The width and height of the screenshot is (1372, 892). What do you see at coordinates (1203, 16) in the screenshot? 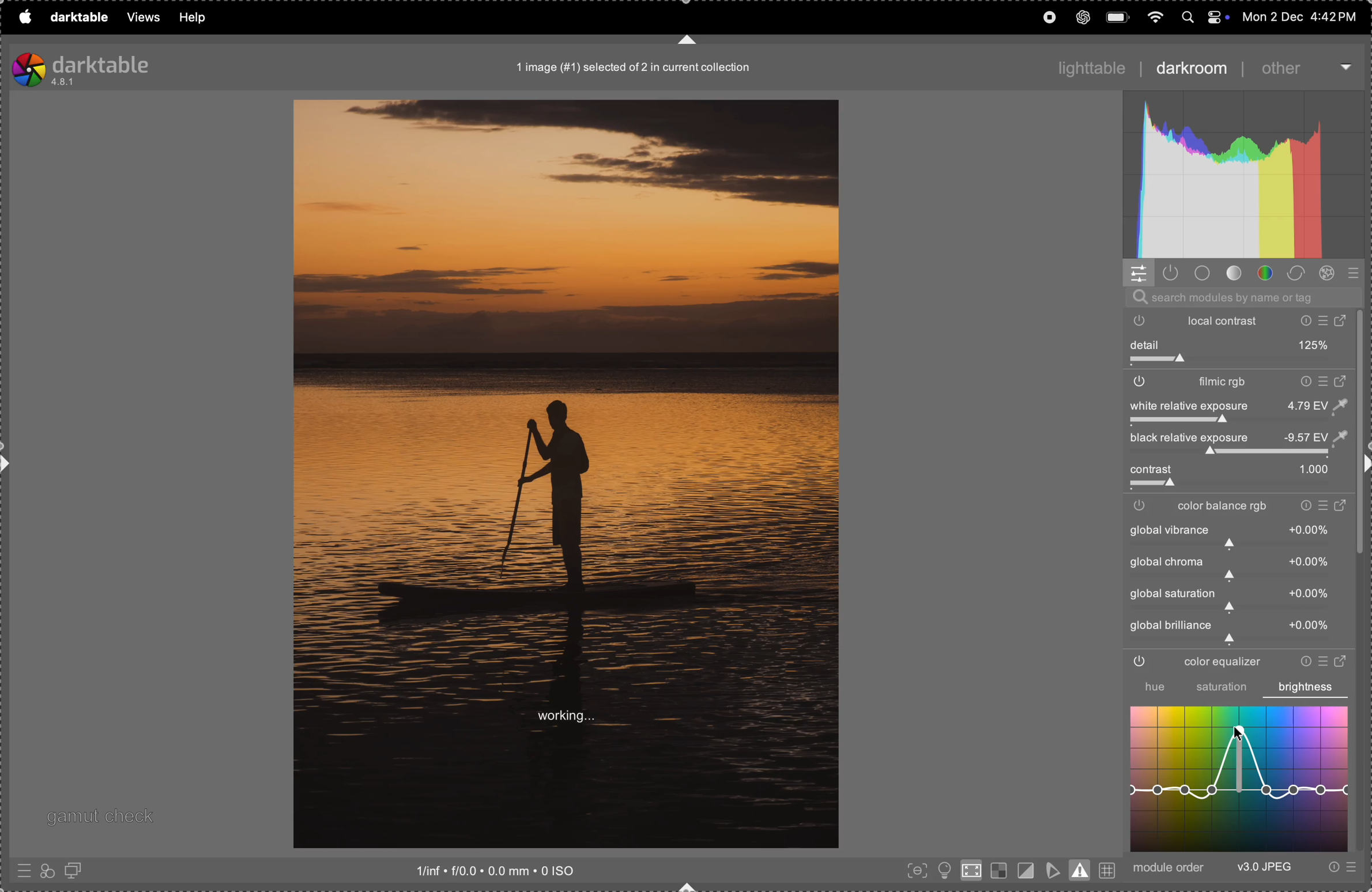
I see `apple widgets` at bounding box center [1203, 16].